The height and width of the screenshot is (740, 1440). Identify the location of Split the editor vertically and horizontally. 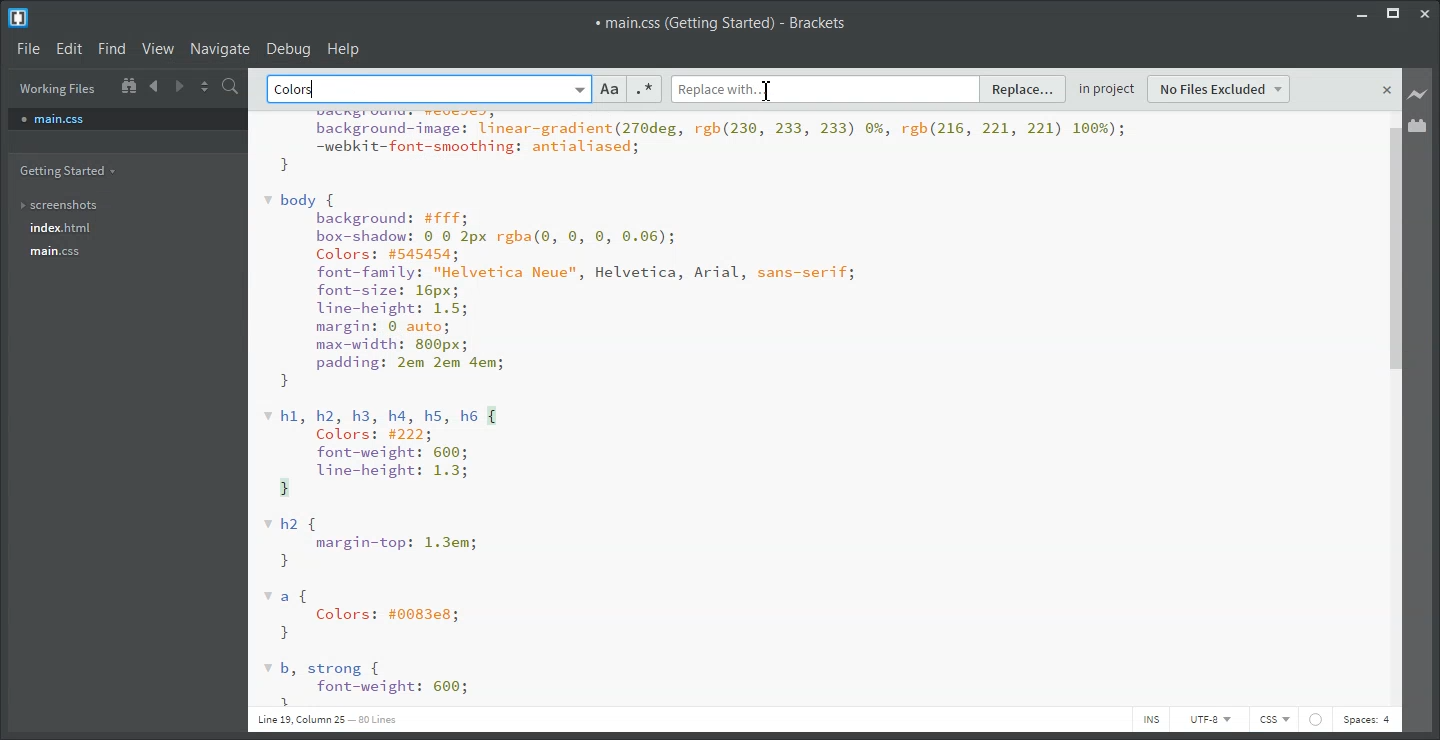
(205, 85).